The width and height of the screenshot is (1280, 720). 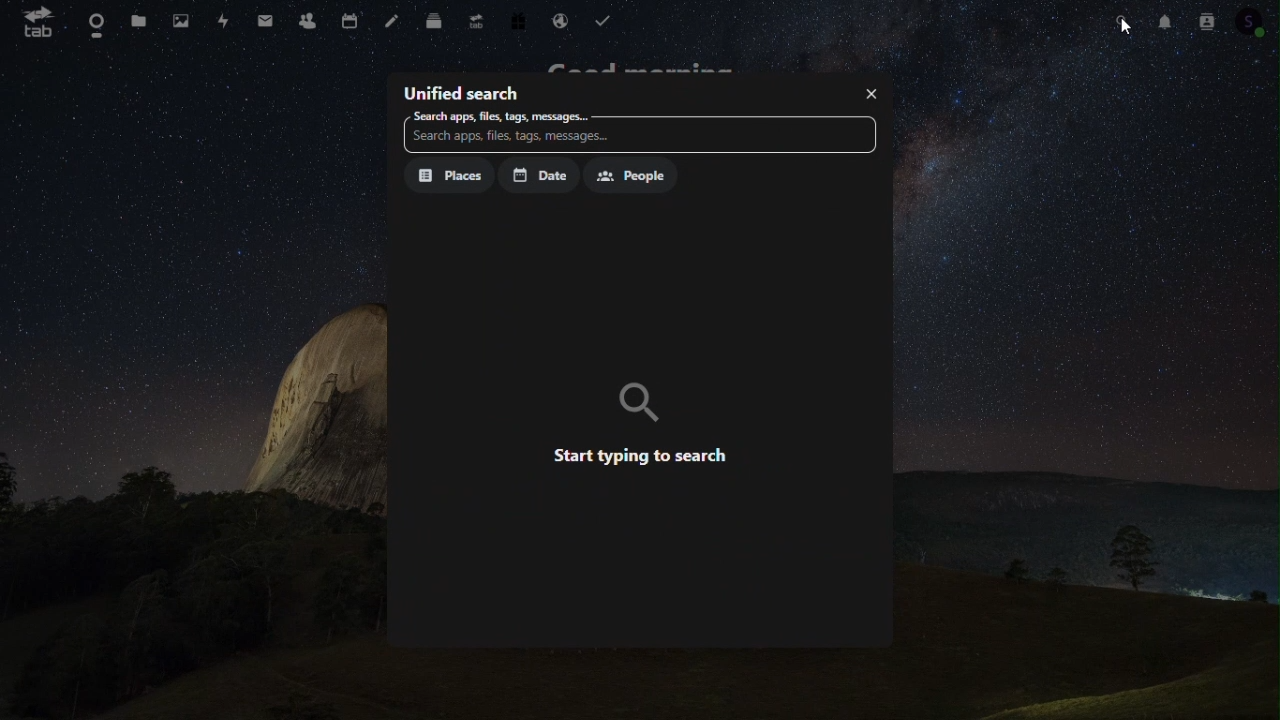 I want to click on Unified search, so click(x=462, y=91).